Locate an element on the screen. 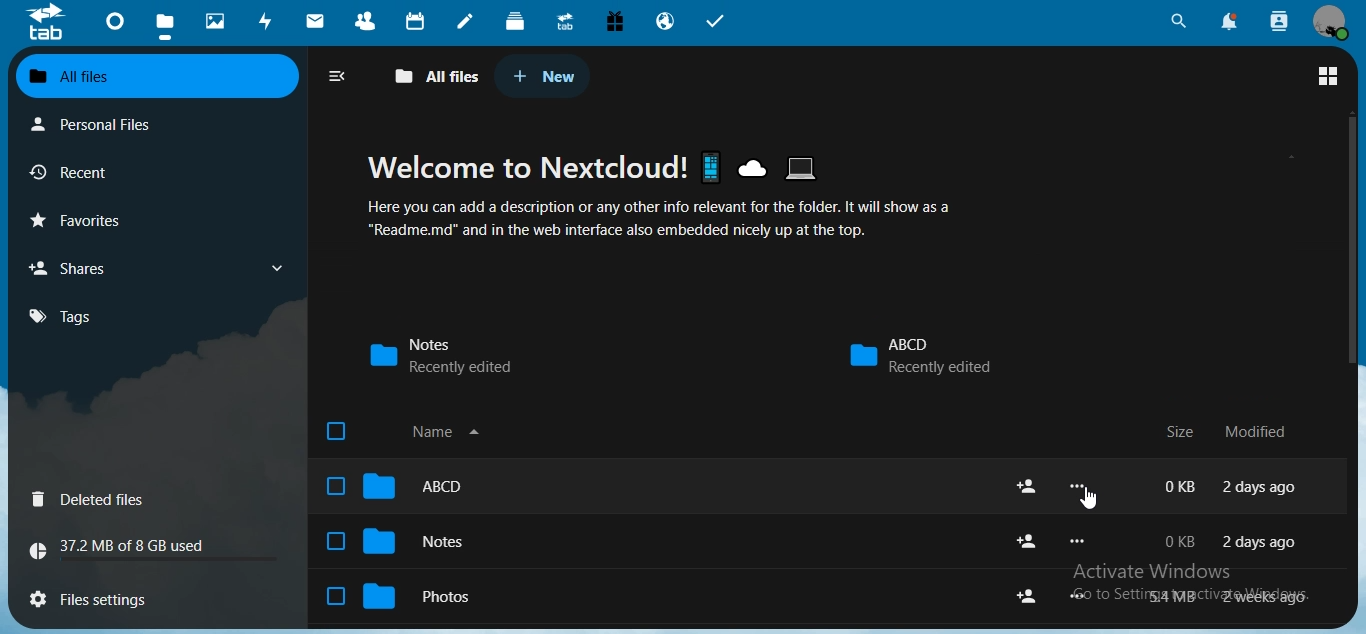 This screenshot has width=1366, height=634. free email is located at coordinates (615, 23).